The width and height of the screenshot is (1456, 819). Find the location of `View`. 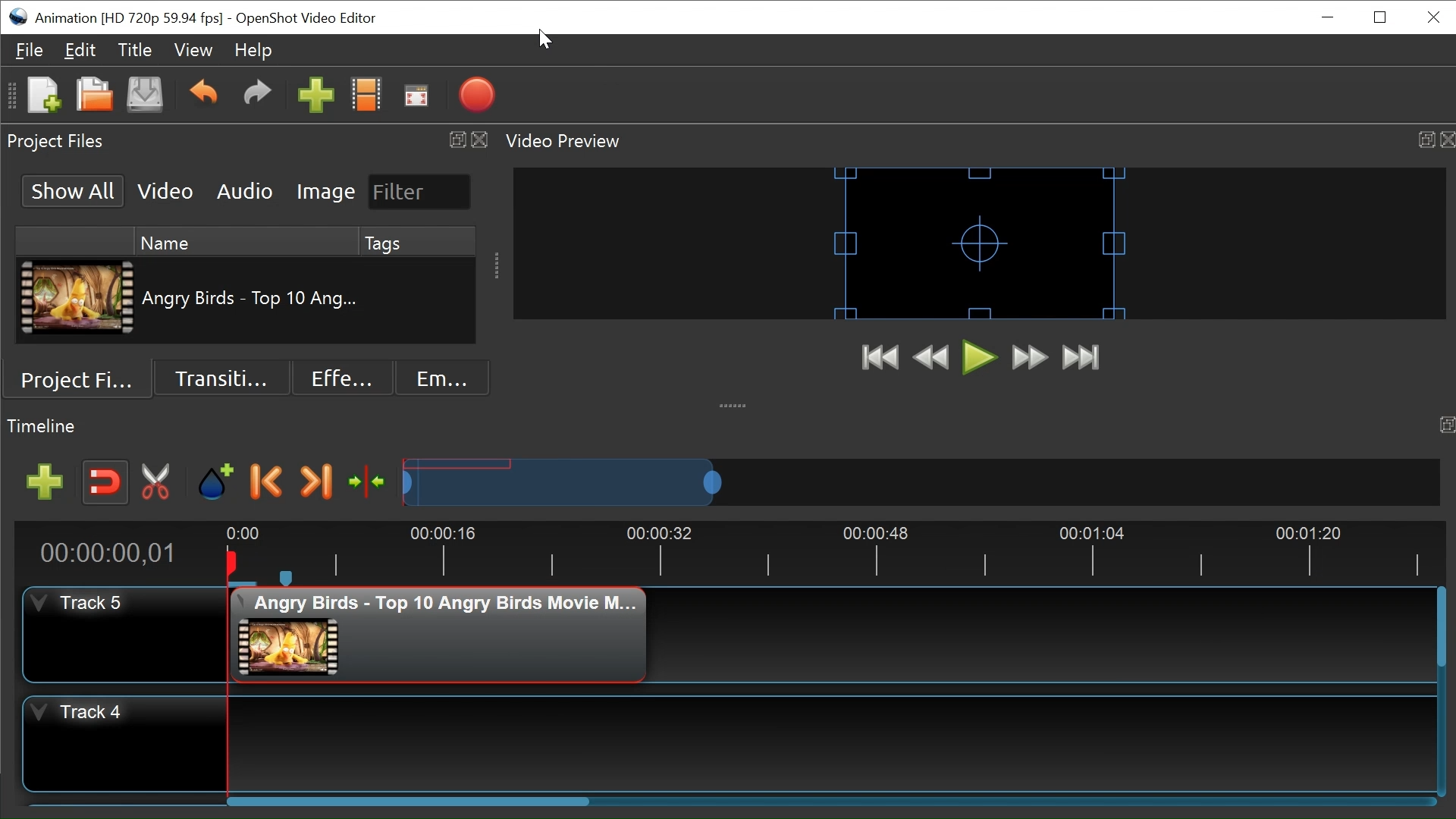

View is located at coordinates (193, 51).